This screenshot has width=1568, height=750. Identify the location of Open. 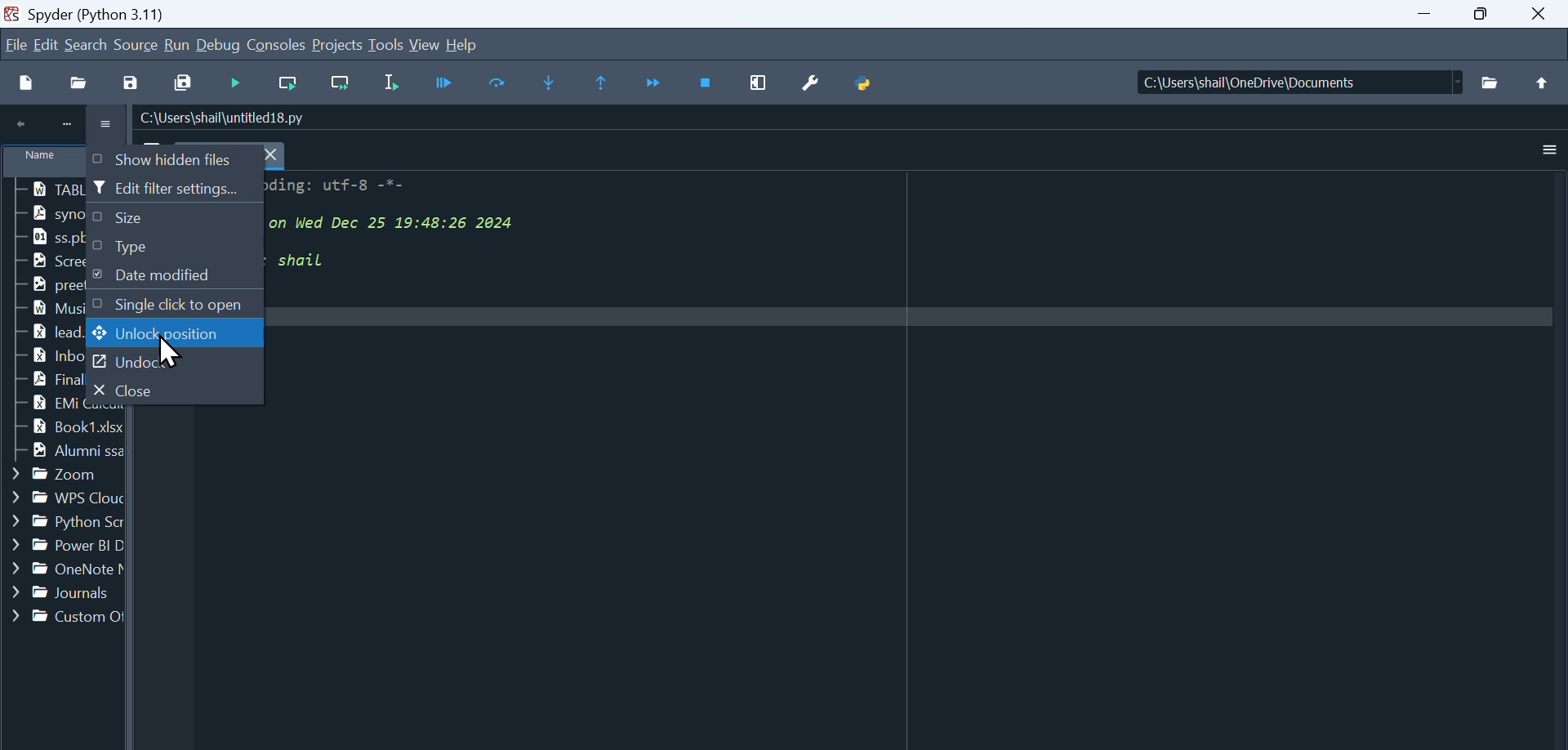
(82, 82).